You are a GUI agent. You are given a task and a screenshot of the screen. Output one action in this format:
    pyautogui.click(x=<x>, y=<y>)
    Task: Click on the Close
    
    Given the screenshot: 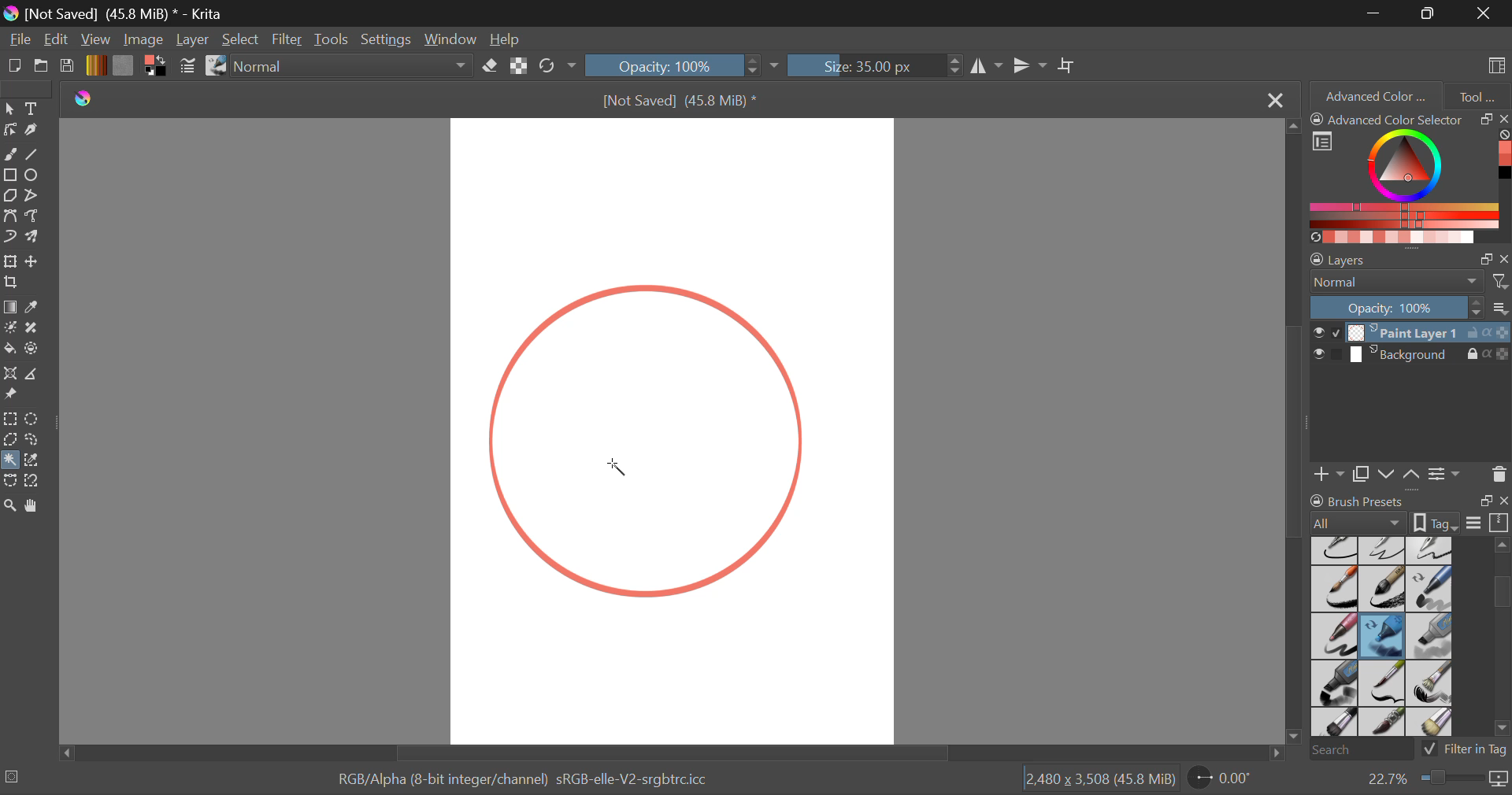 What is the action you would take?
    pyautogui.click(x=1273, y=101)
    